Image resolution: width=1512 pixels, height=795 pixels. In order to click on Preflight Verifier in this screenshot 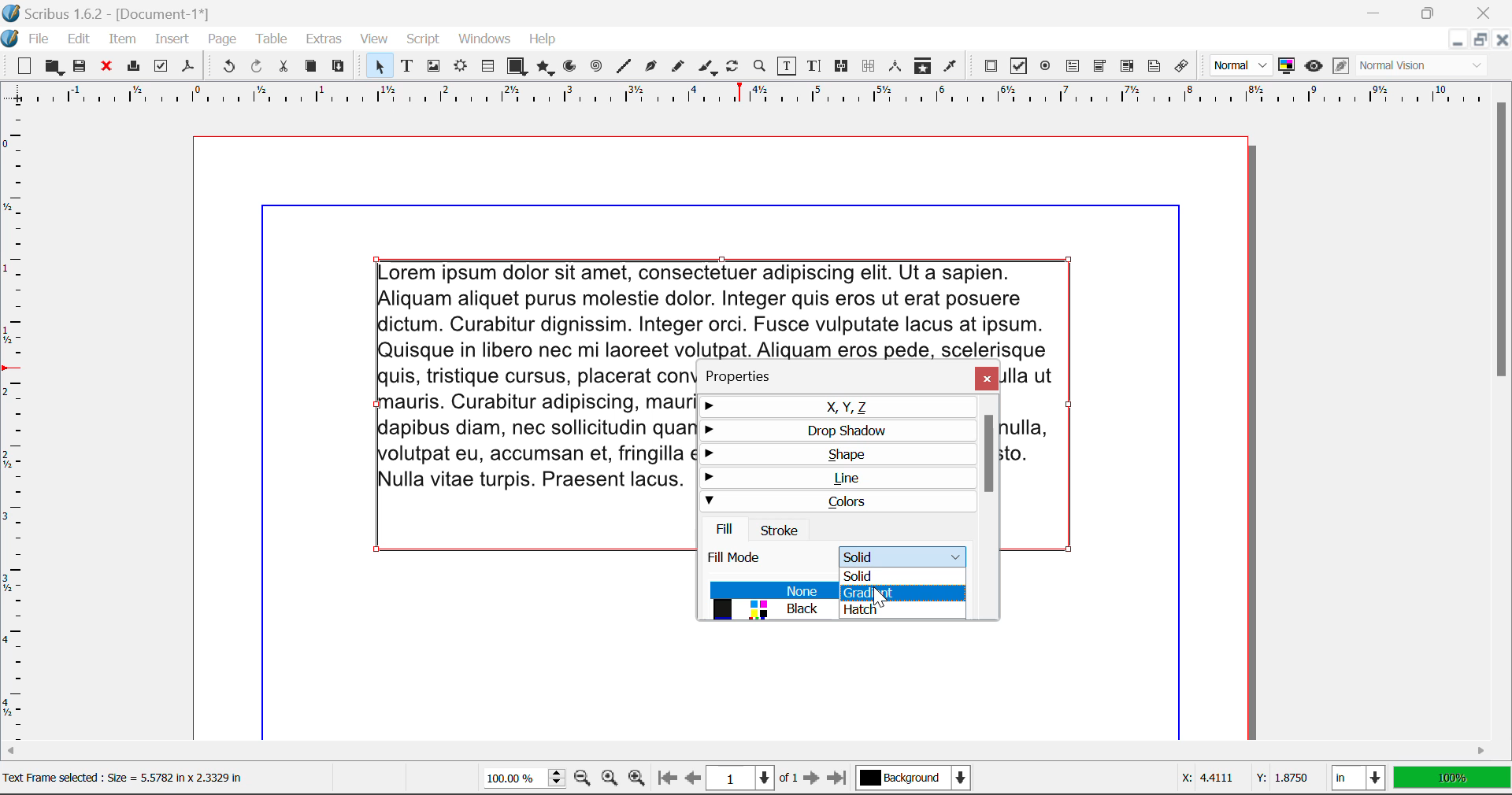, I will do `click(161, 68)`.